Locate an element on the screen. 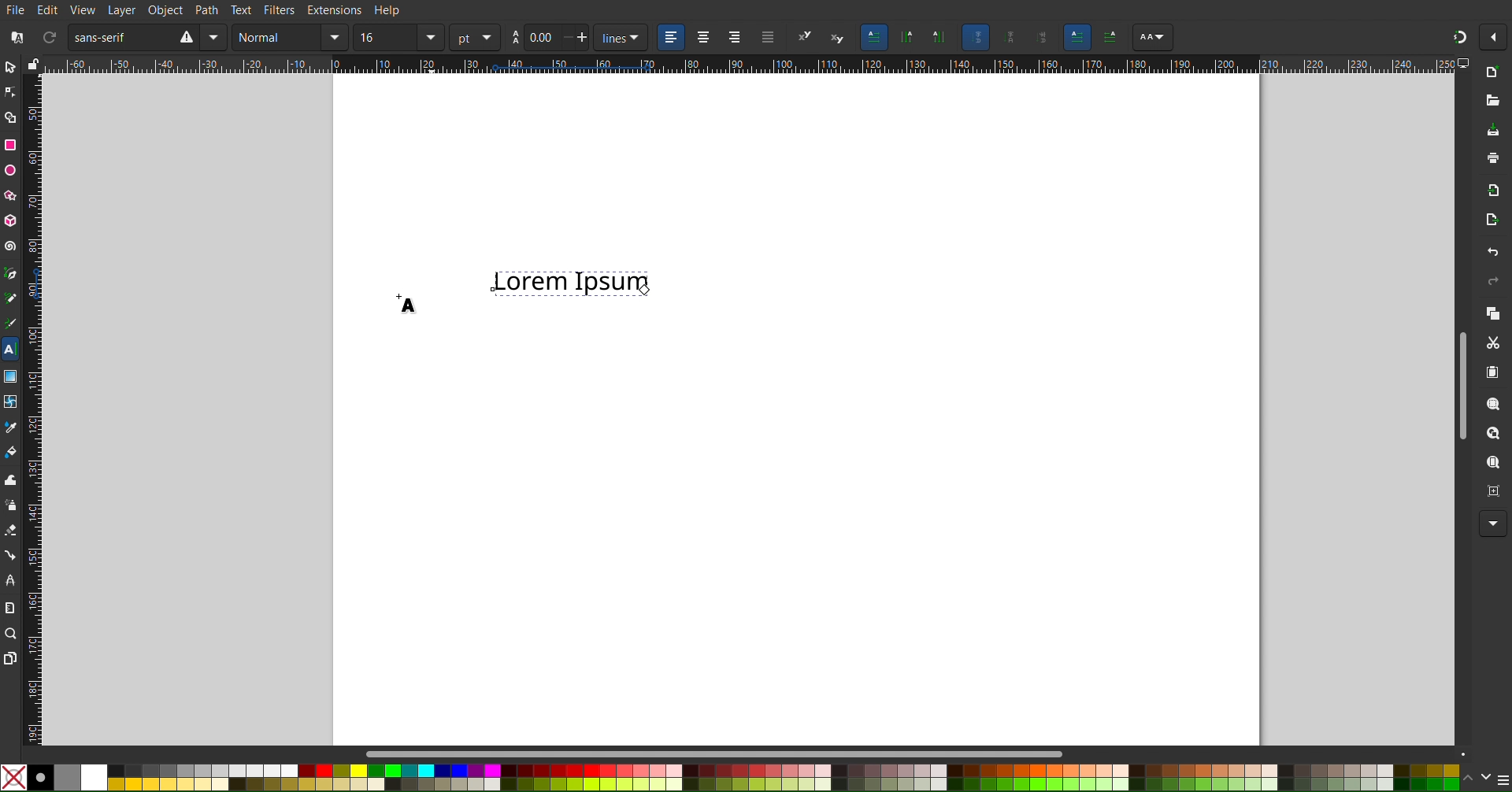 The height and width of the screenshot is (792, 1512). cursor is located at coordinates (646, 291).